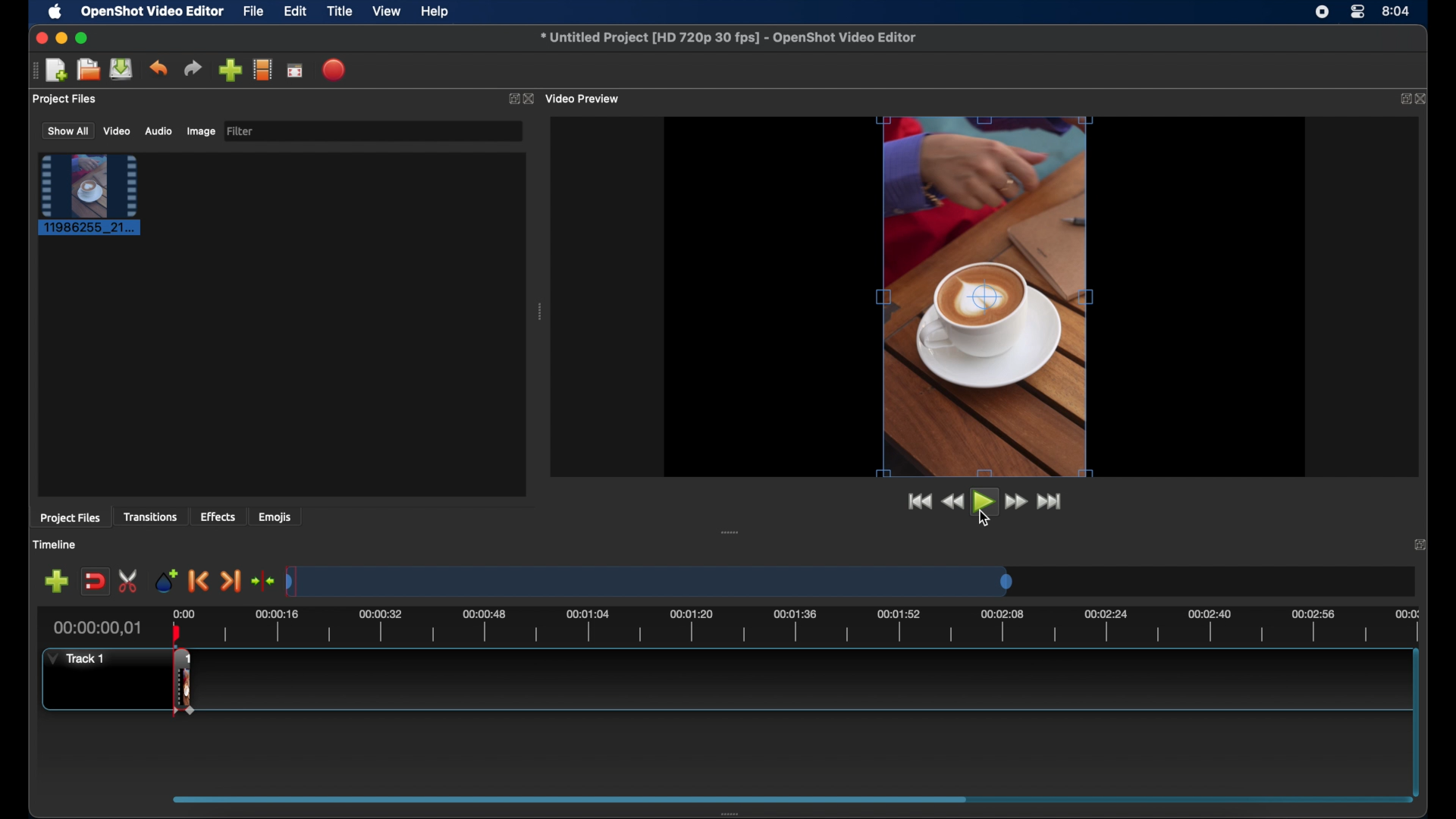  Describe the element at coordinates (649, 583) in the screenshot. I see `timeline scale` at that location.